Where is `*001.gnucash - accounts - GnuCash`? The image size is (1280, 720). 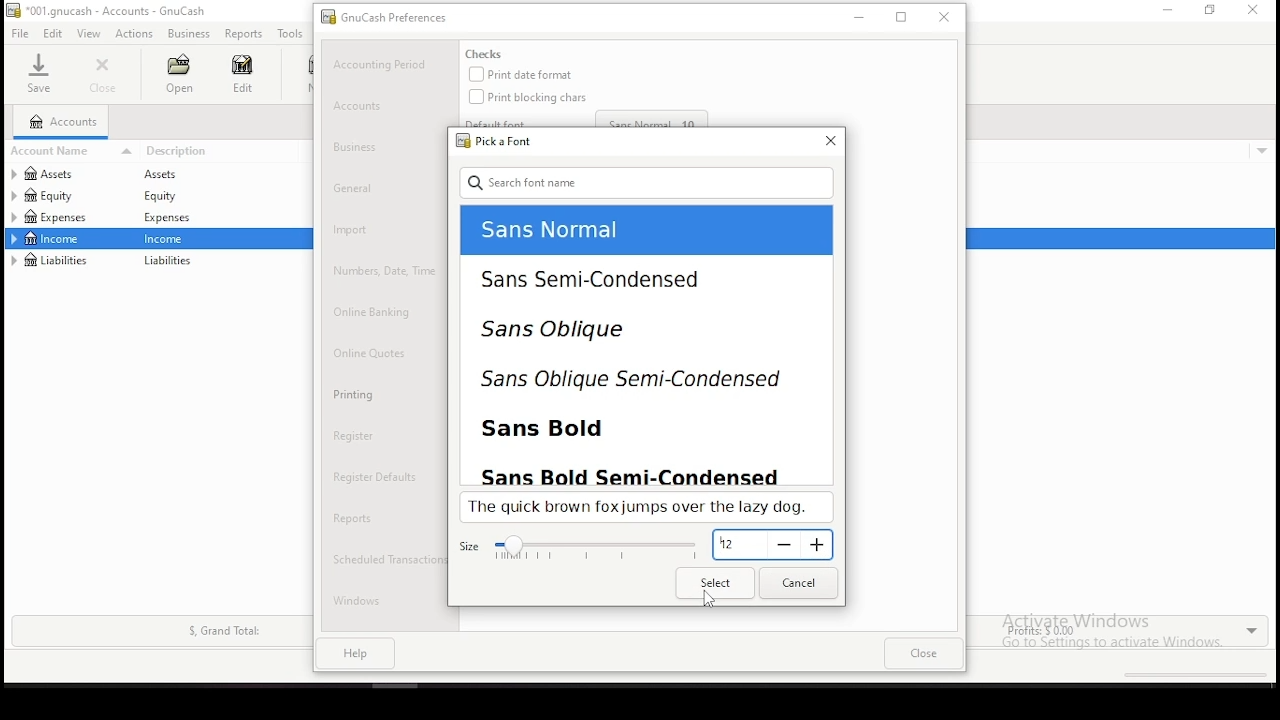
*001.gnucash - accounts - GnuCash is located at coordinates (106, 11).